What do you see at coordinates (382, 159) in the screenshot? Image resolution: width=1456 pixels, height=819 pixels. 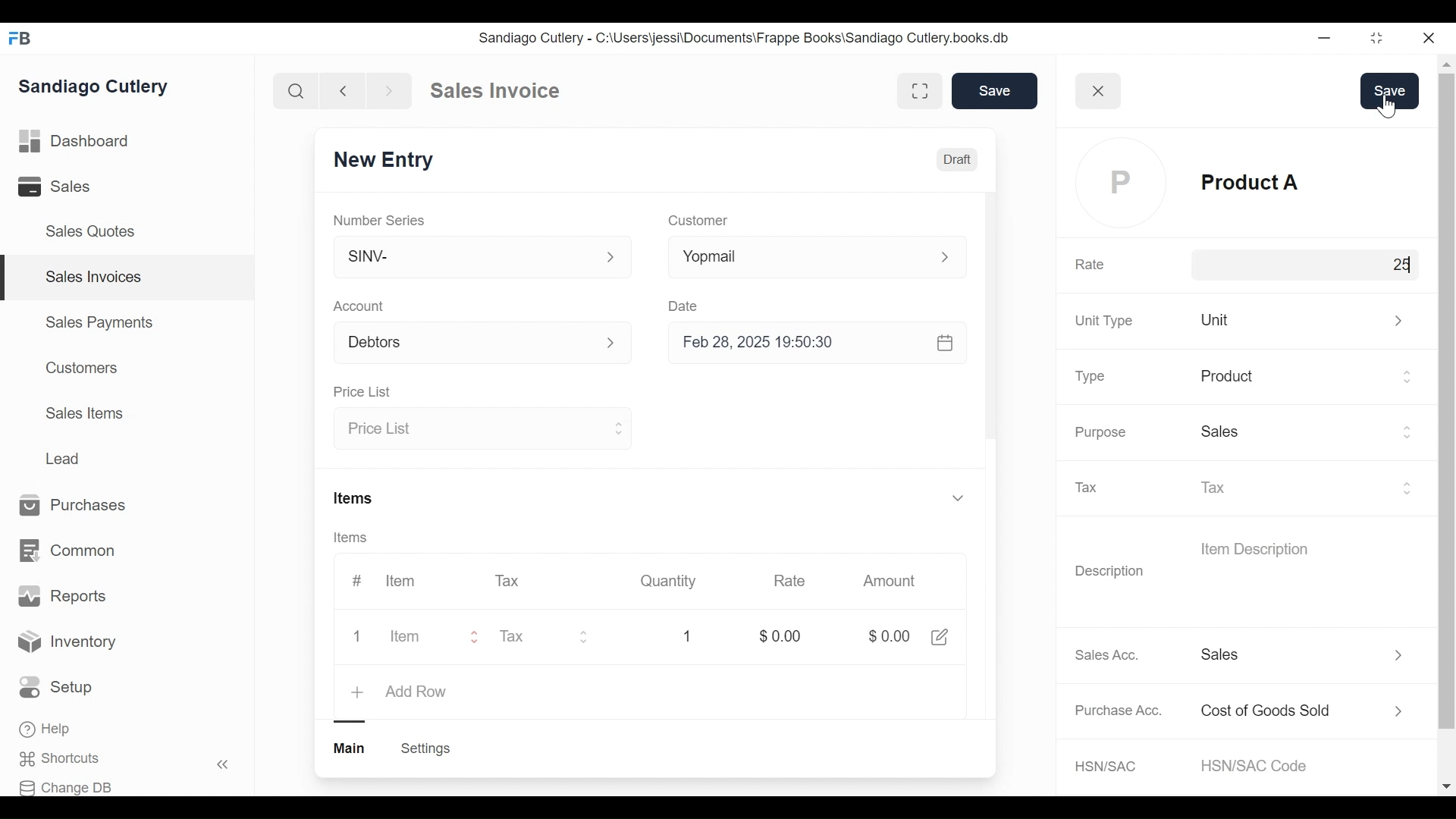 I see `New Entry` at bounding box center [382, 159].